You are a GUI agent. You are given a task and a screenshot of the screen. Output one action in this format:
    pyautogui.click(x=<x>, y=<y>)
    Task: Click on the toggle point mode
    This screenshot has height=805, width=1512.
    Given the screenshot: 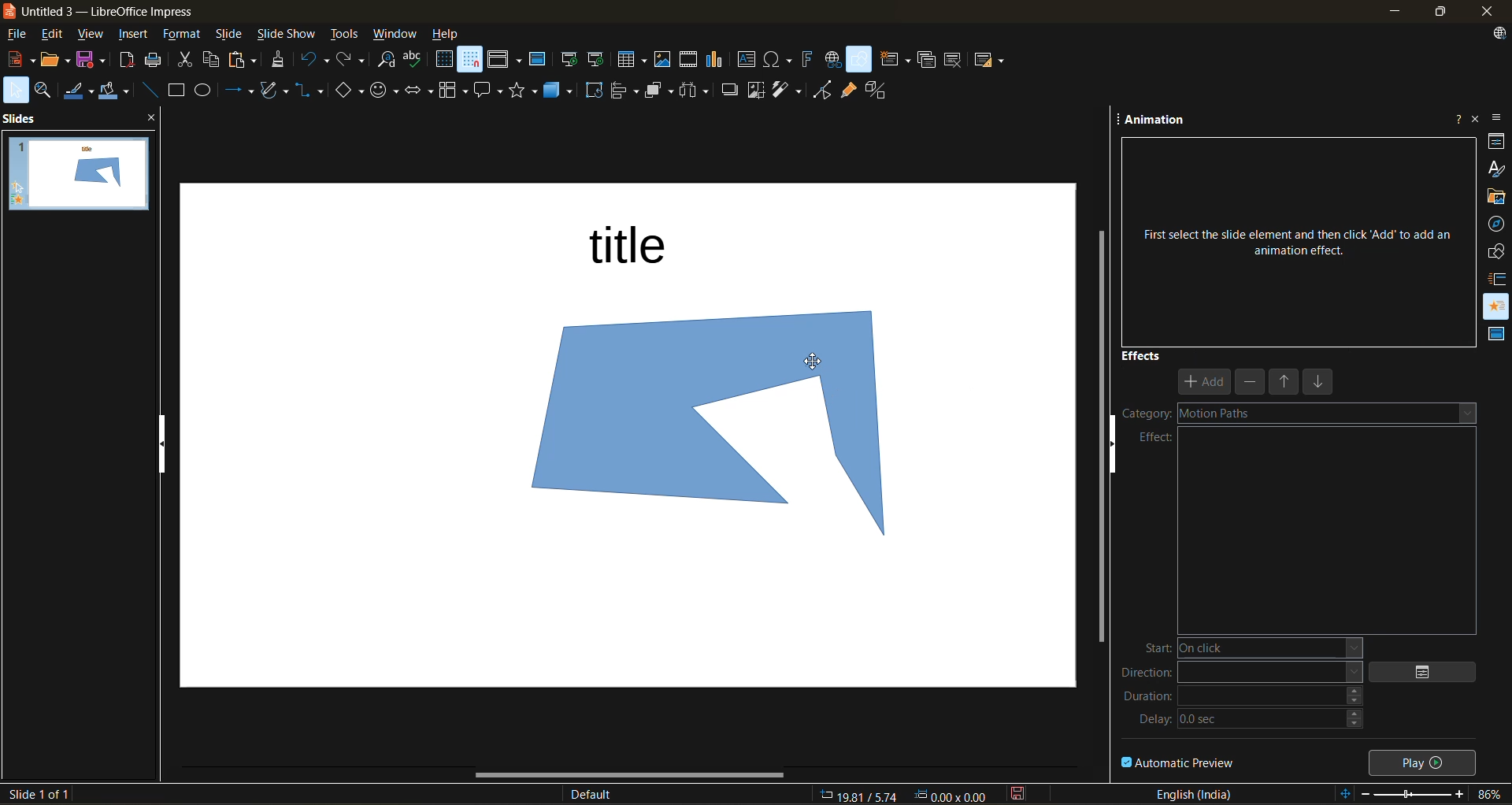 What is the action you would take?
    pyautogui.click(x=823, y=91)
    